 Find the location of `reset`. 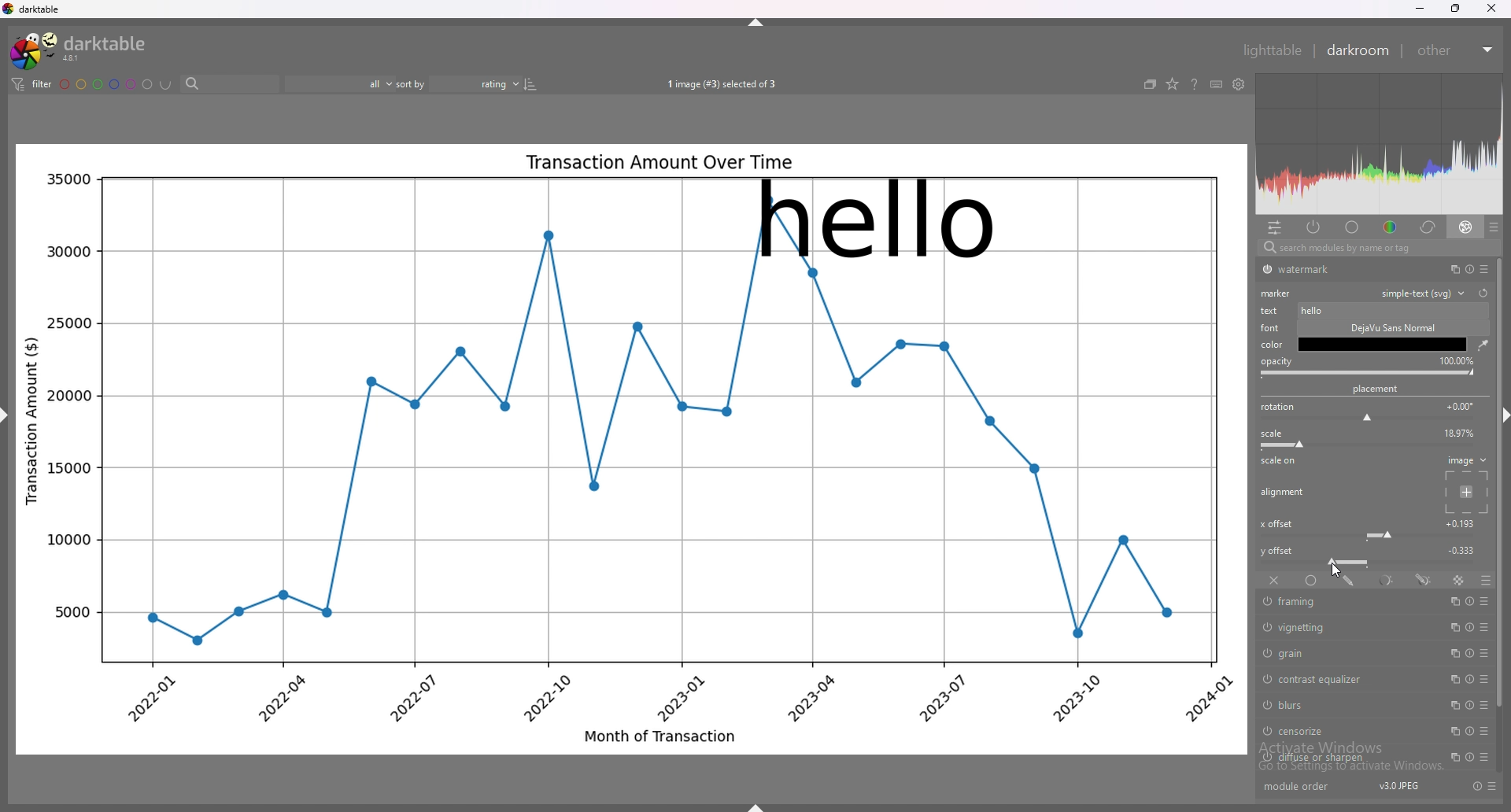

reset is located at coordinates (1468, 269).